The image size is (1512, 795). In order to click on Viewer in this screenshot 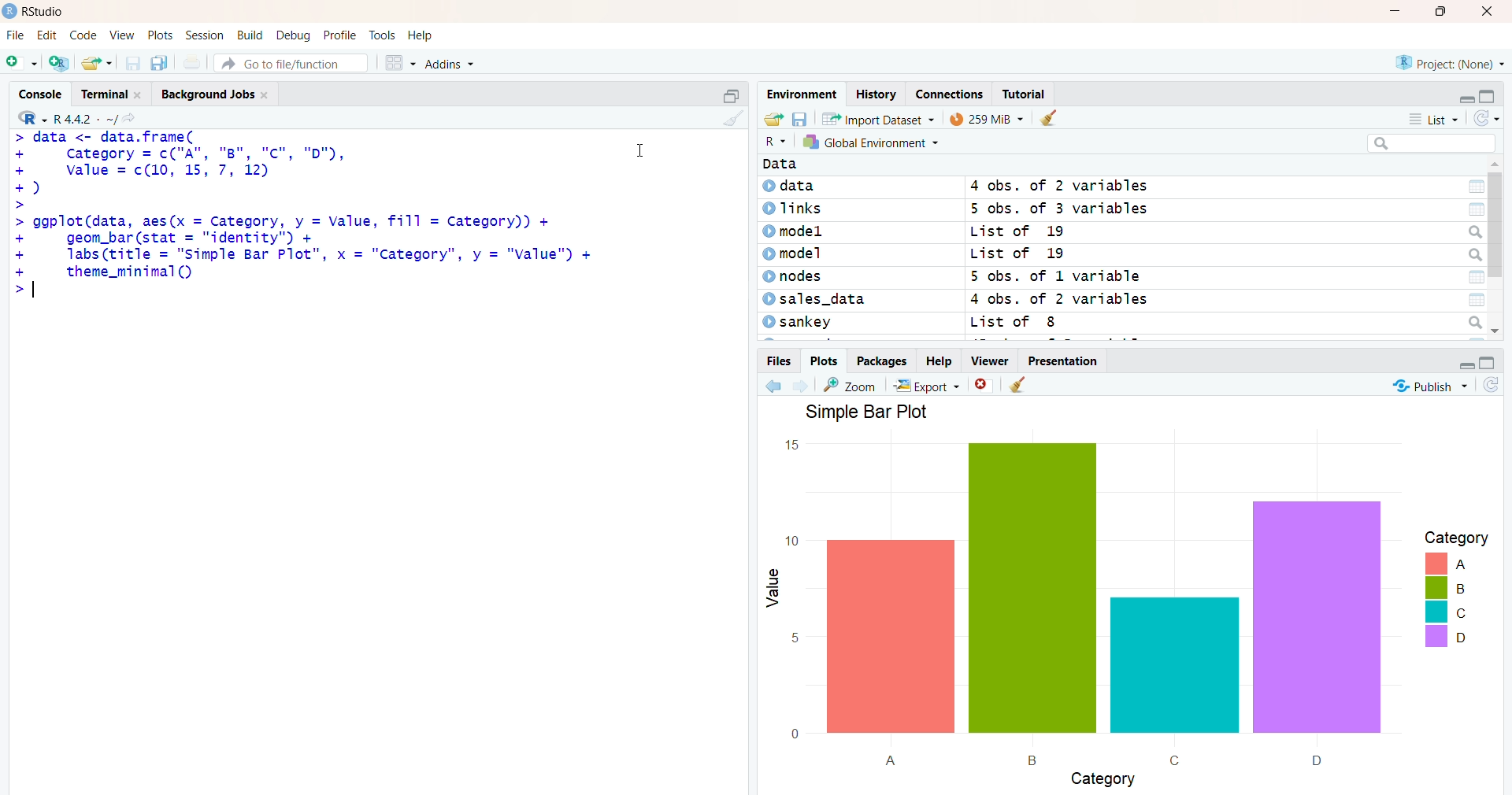, I will do `click(988, 360)`.